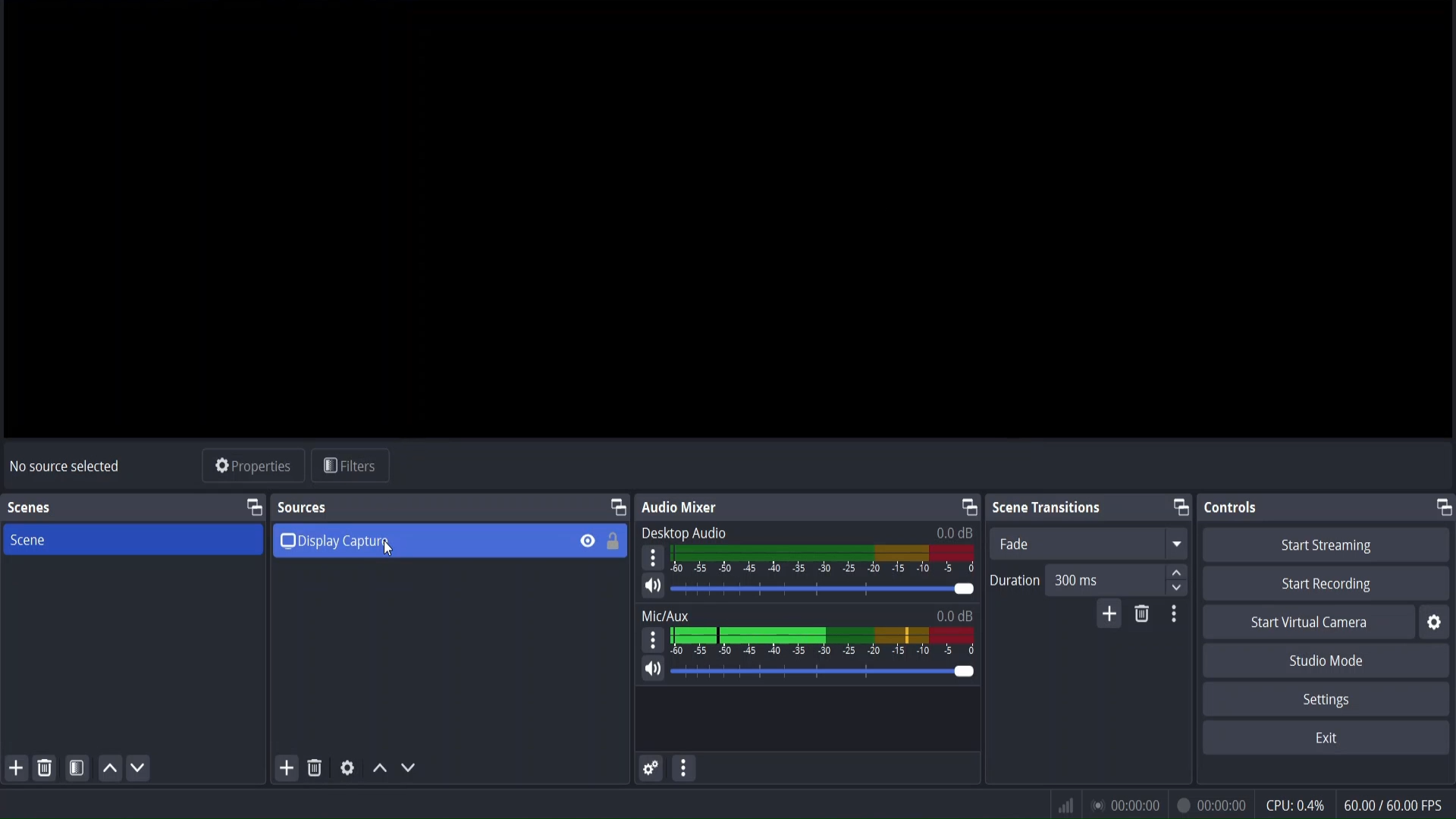  I want to click on start recording, so click(1330, 585).